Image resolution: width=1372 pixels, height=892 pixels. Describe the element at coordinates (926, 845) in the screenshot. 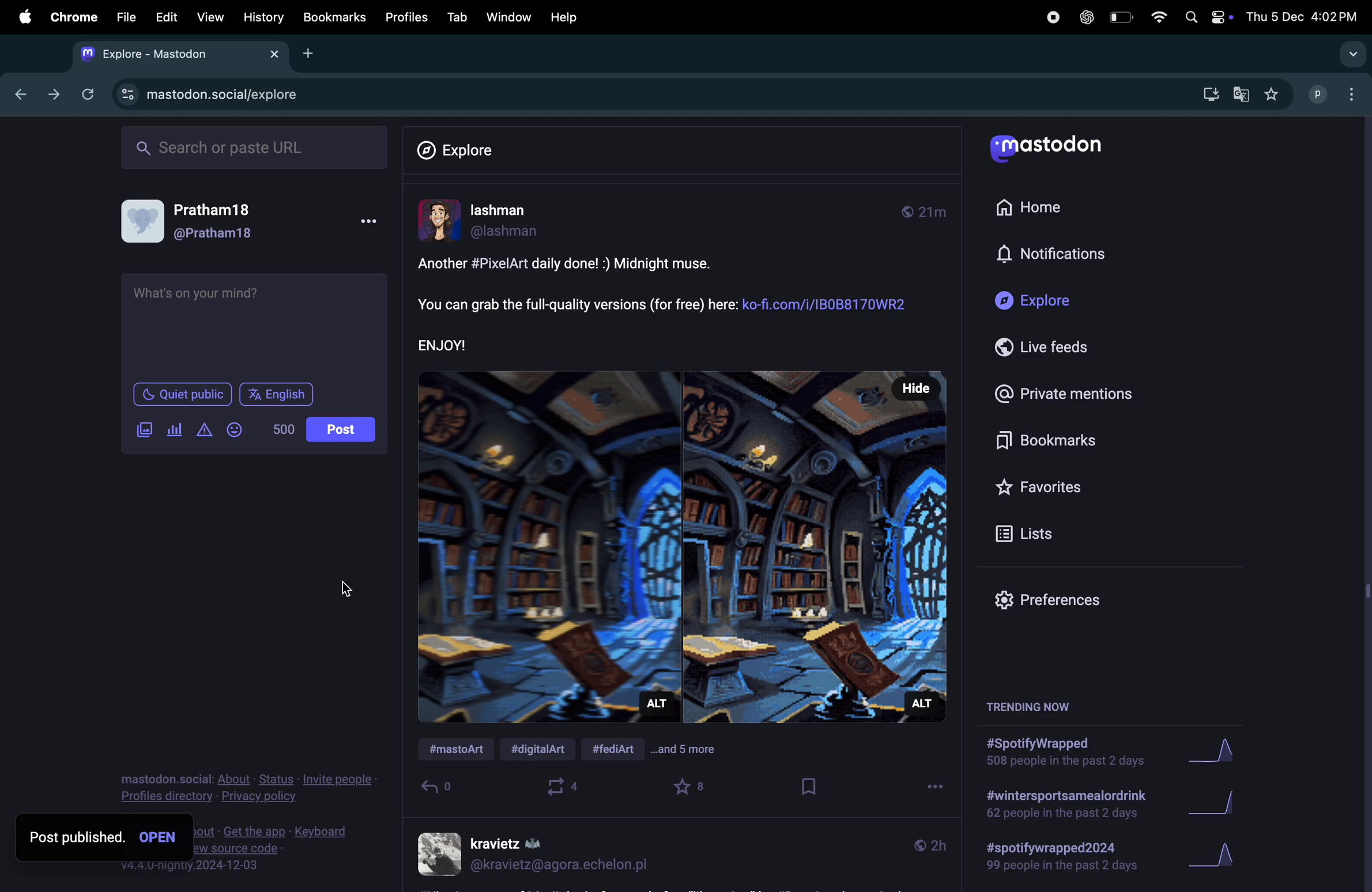

I see `time line` at that location.